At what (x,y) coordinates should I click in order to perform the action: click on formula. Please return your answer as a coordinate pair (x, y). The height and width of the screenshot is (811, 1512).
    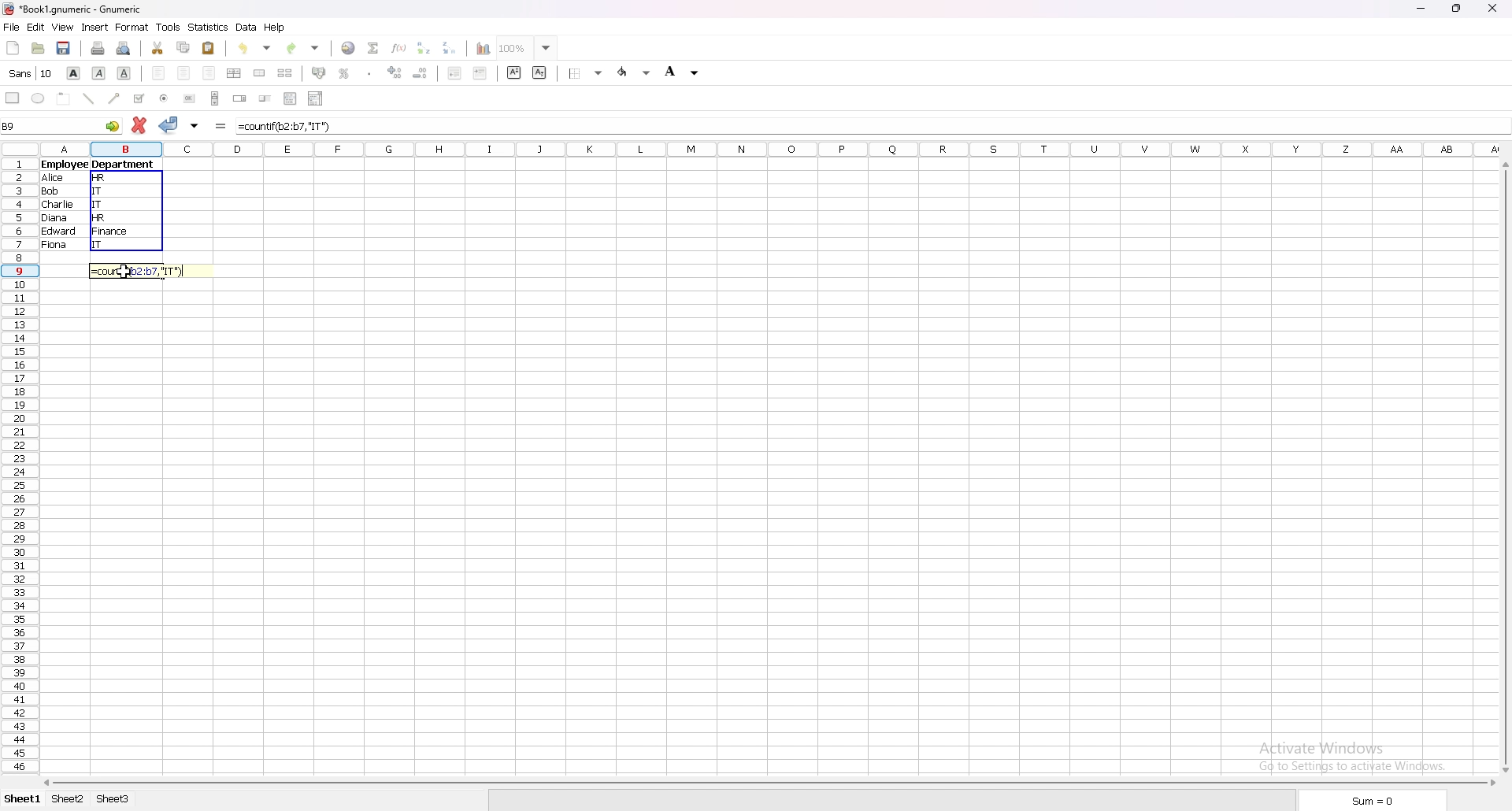
    Looking at the image, I should click on (290, 126).